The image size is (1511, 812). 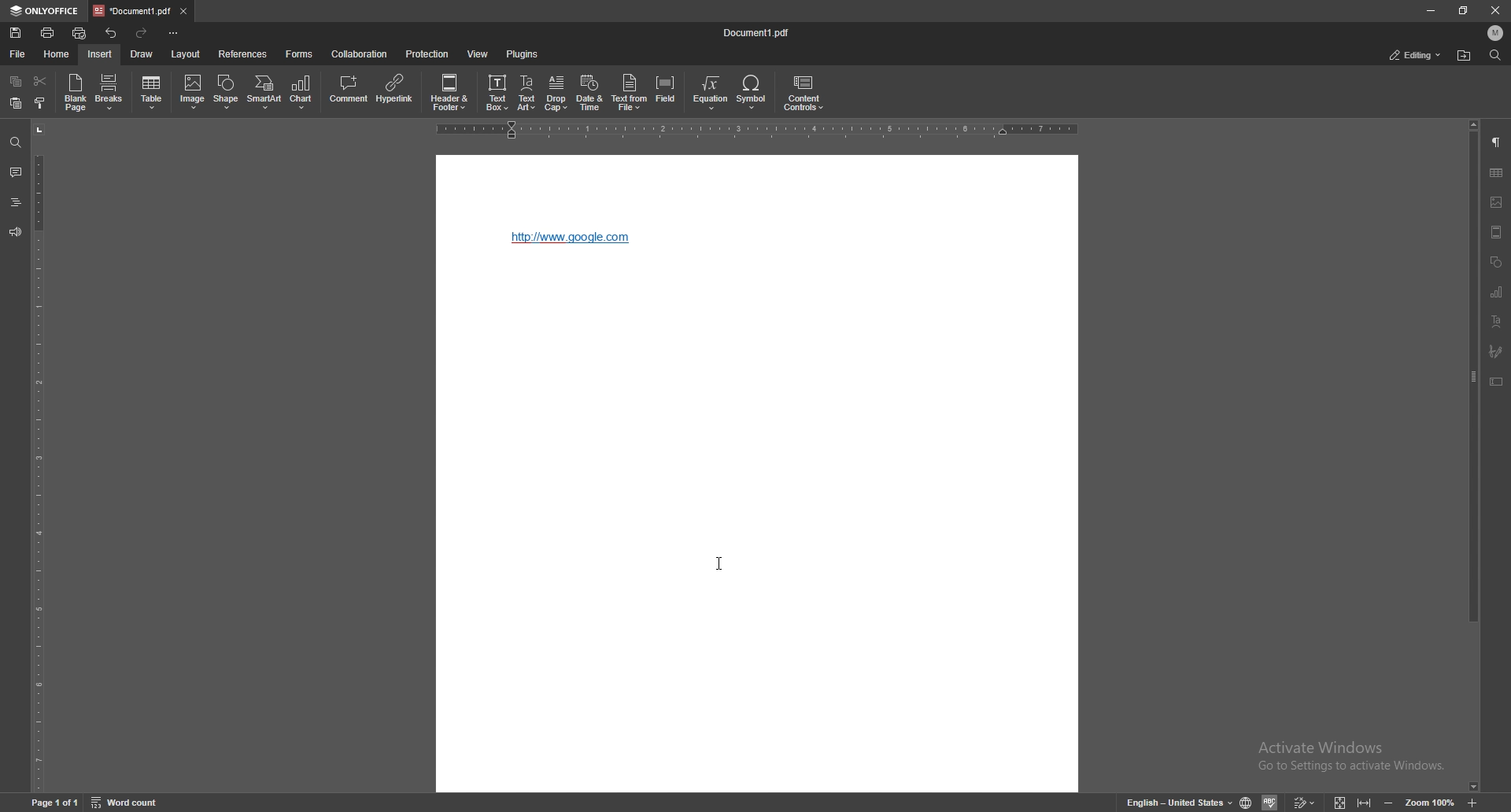 I want to click on feedback, so click(x=15, y=231).